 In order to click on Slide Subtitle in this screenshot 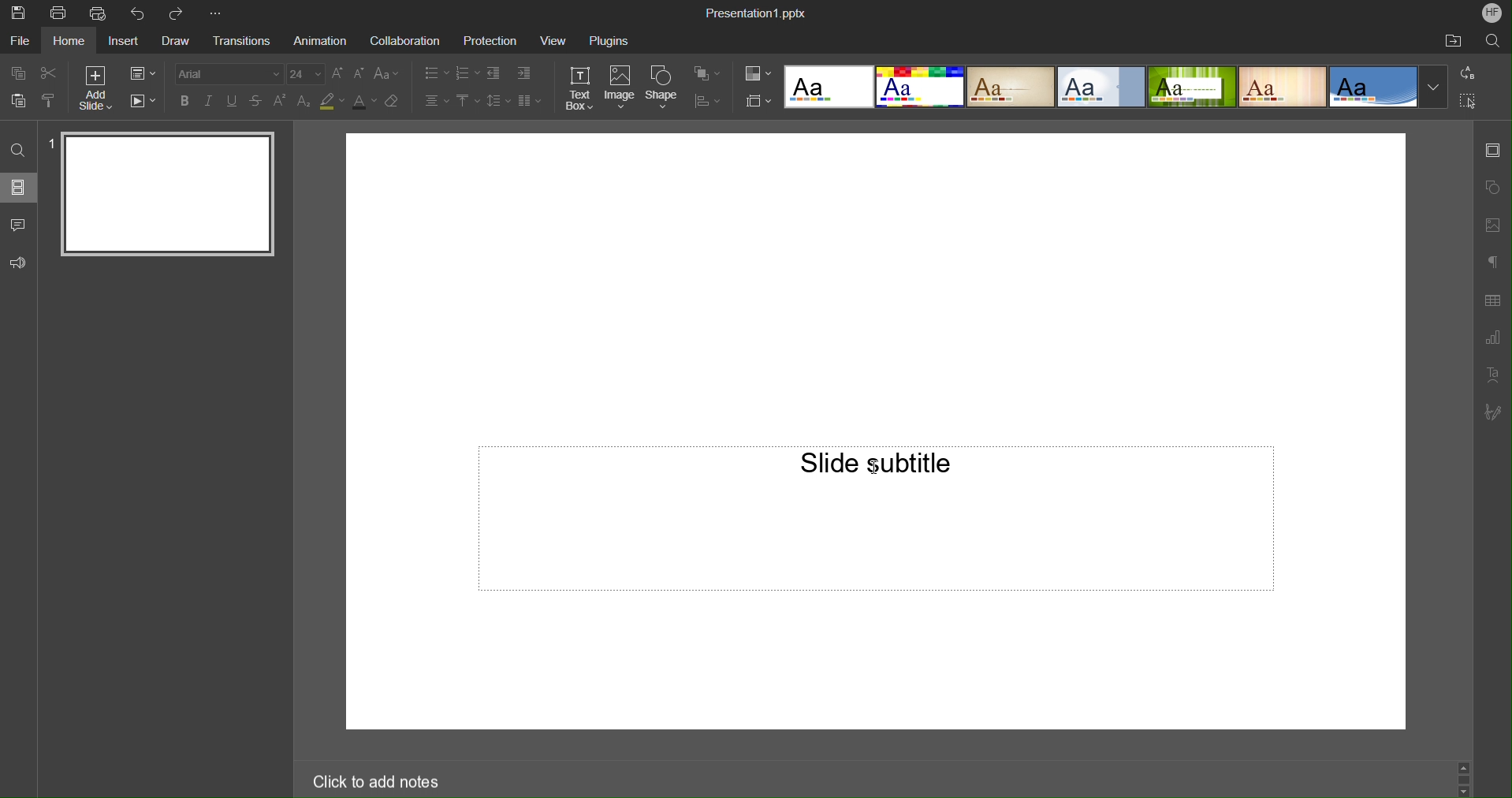, I will do `click(878, 518)`.